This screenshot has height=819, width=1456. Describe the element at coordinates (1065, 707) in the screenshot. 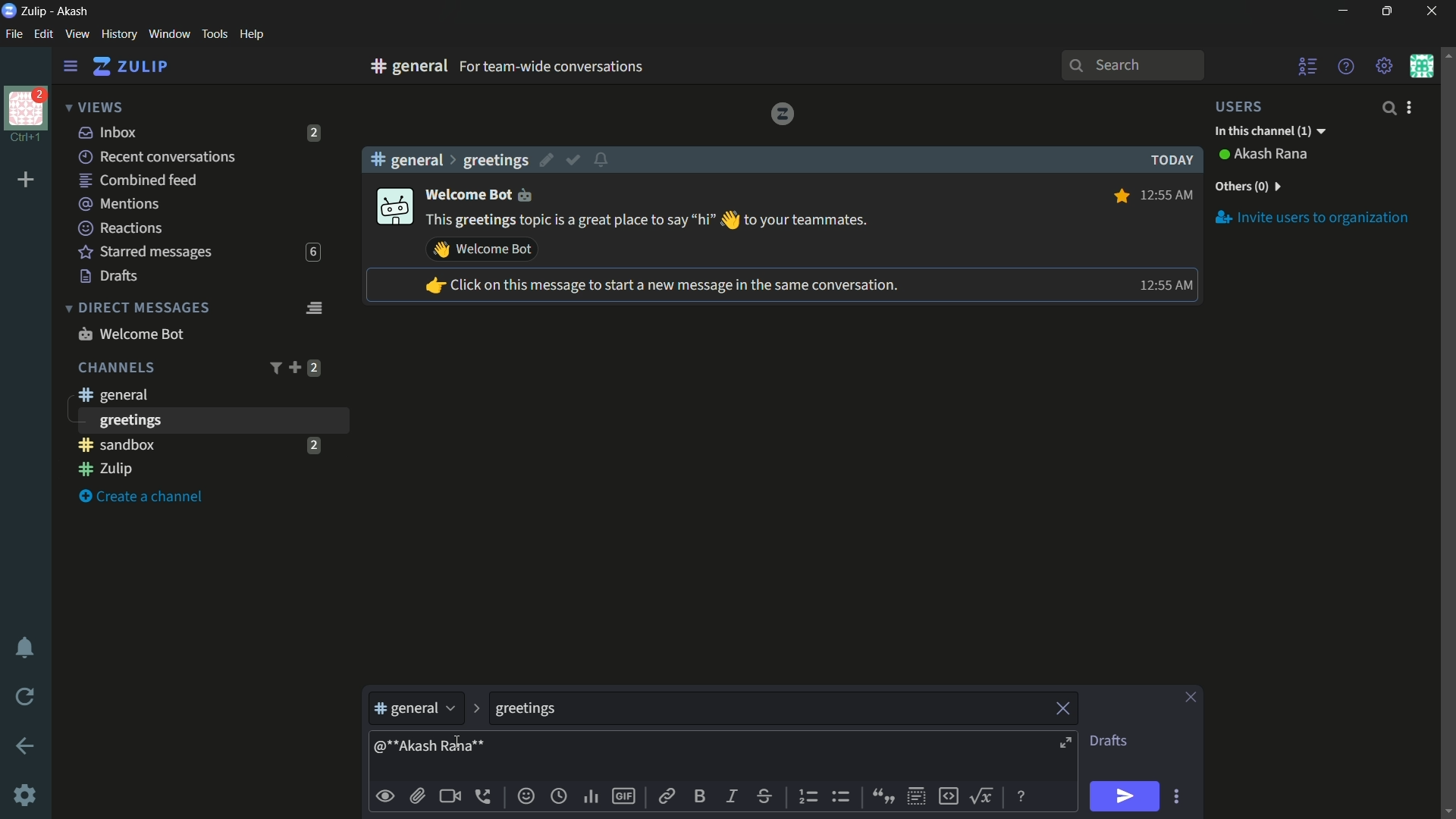

I see `remove topic` at that location.